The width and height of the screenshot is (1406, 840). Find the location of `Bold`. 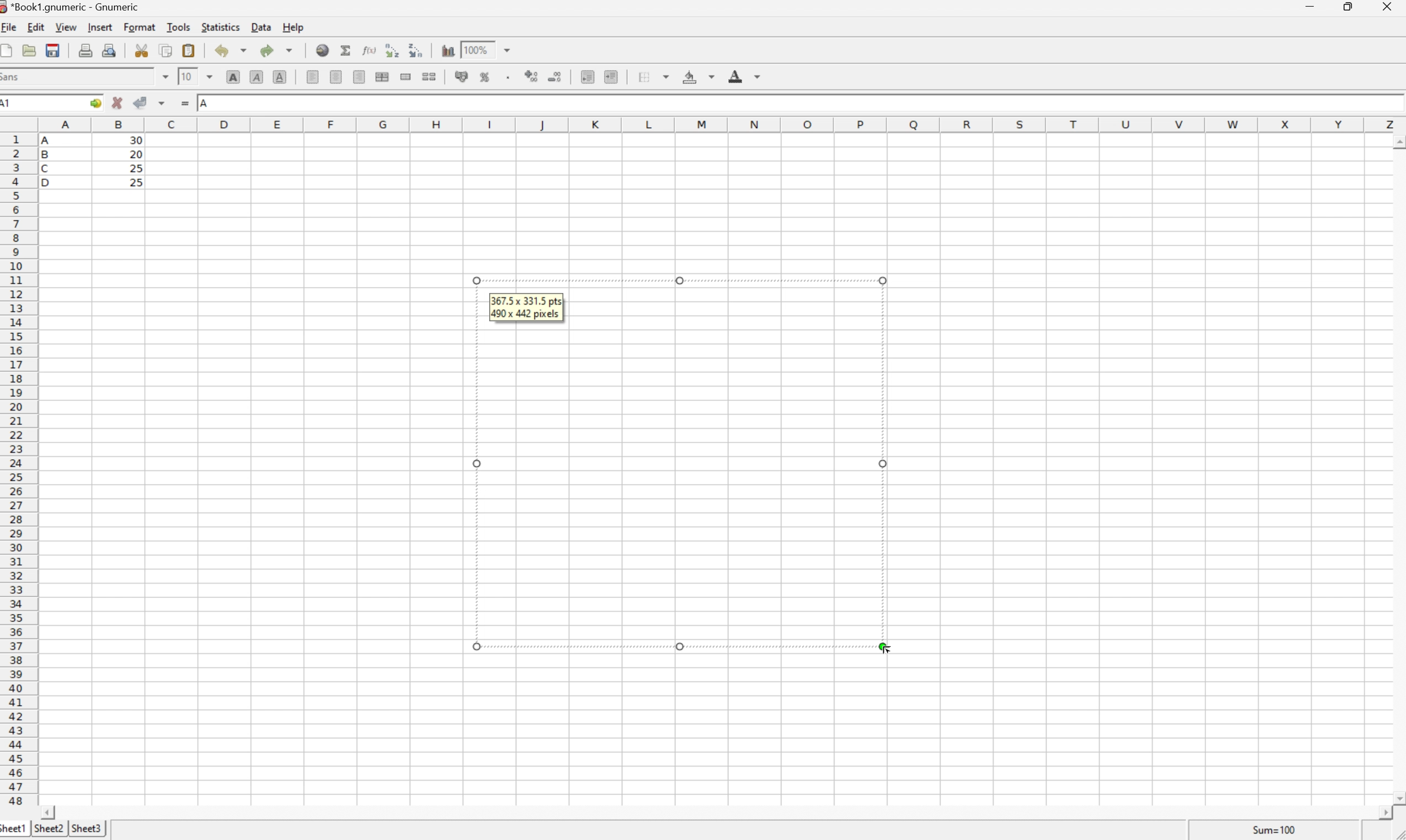

Bold is located at coordinates (233, 77).